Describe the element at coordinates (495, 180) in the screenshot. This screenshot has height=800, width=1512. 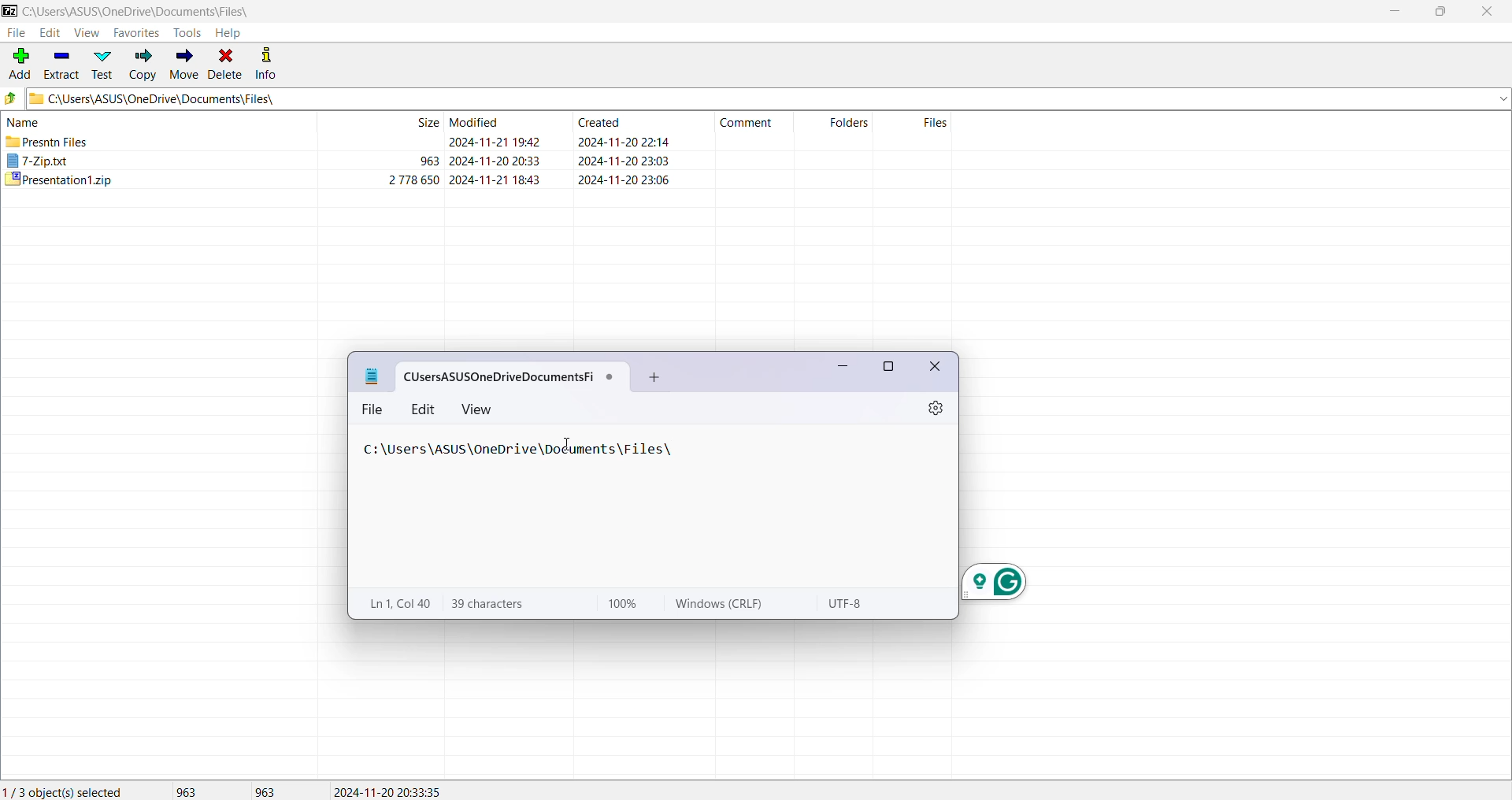
I see `modified date & time` at that location.